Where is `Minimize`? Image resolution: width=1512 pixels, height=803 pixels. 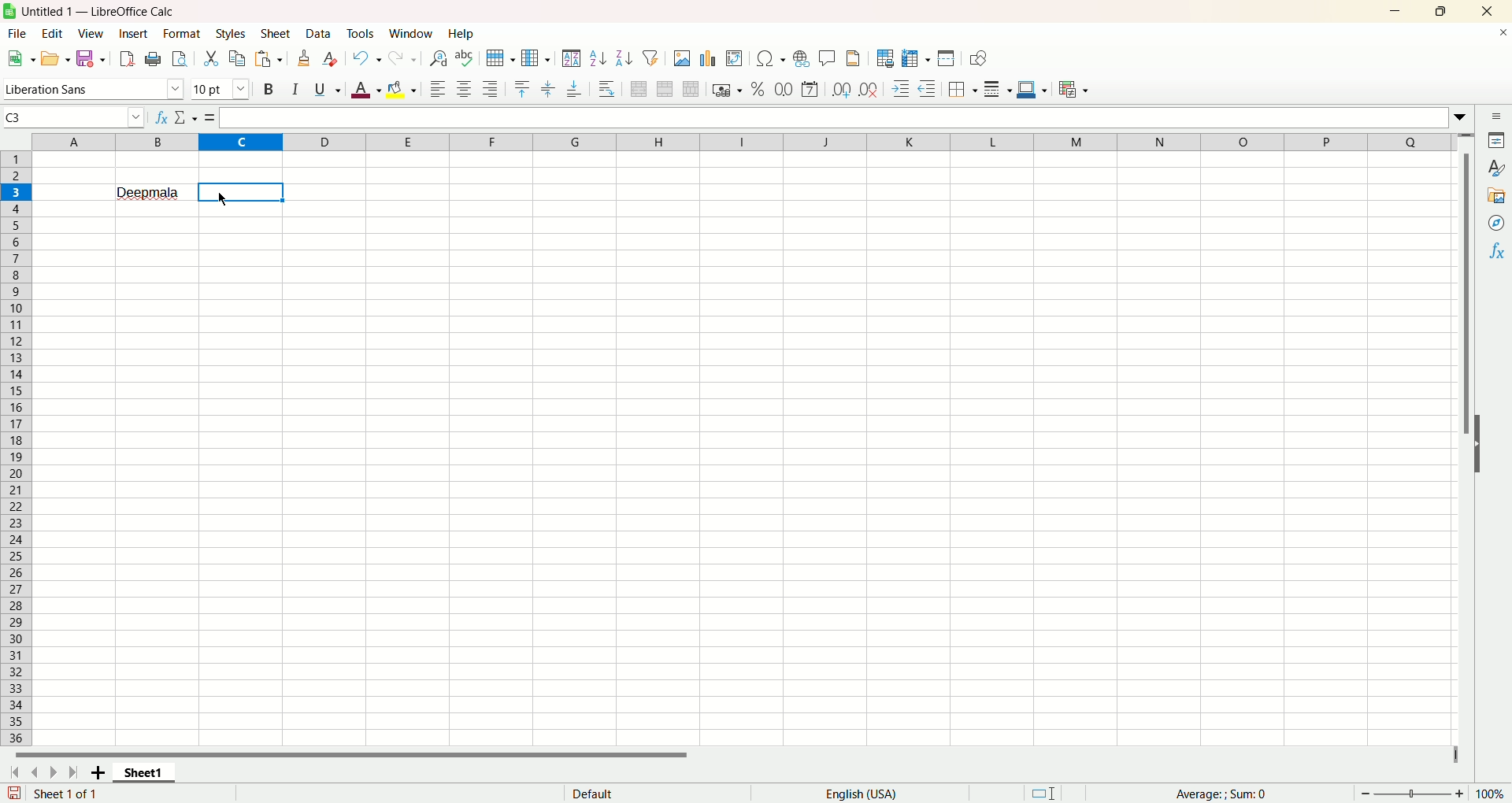 Minimize is located at coordinates (1402, 9).